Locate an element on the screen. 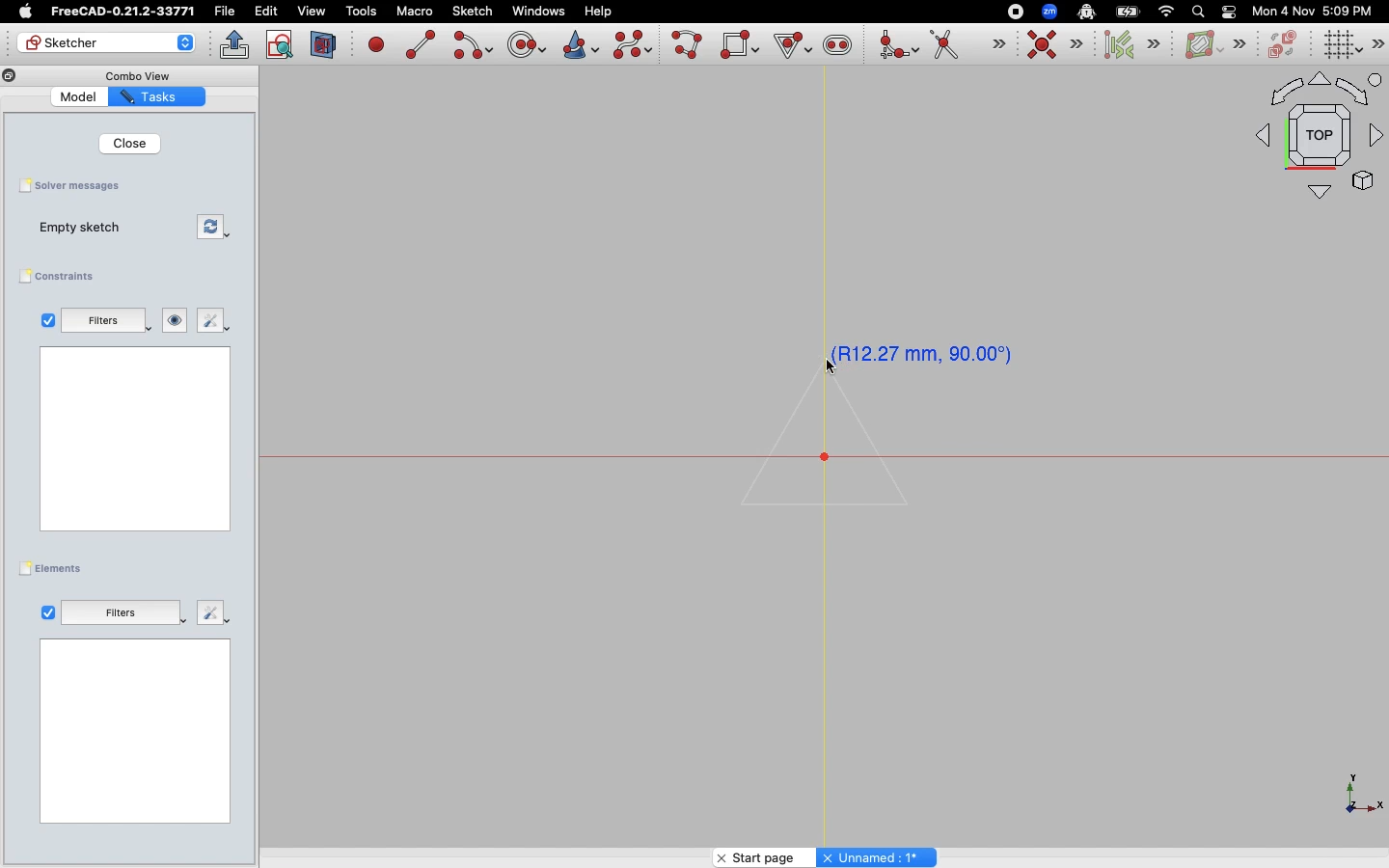 The width and height of the screenshot is (1389, 868). Constraint coincident is located at coordinates (1055, 45).